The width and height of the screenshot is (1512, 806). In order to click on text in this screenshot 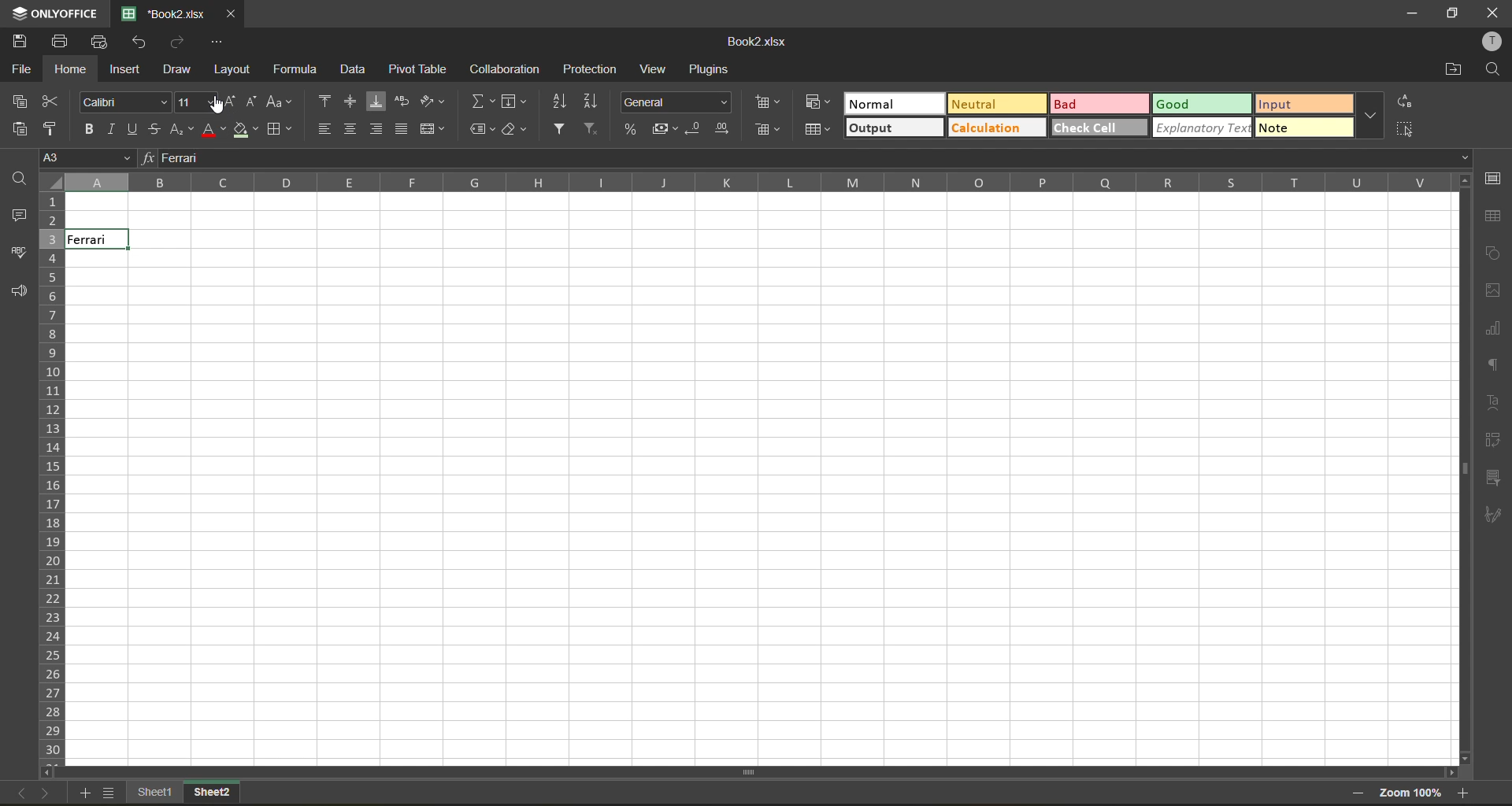, I will do `click(1496, 402)`.